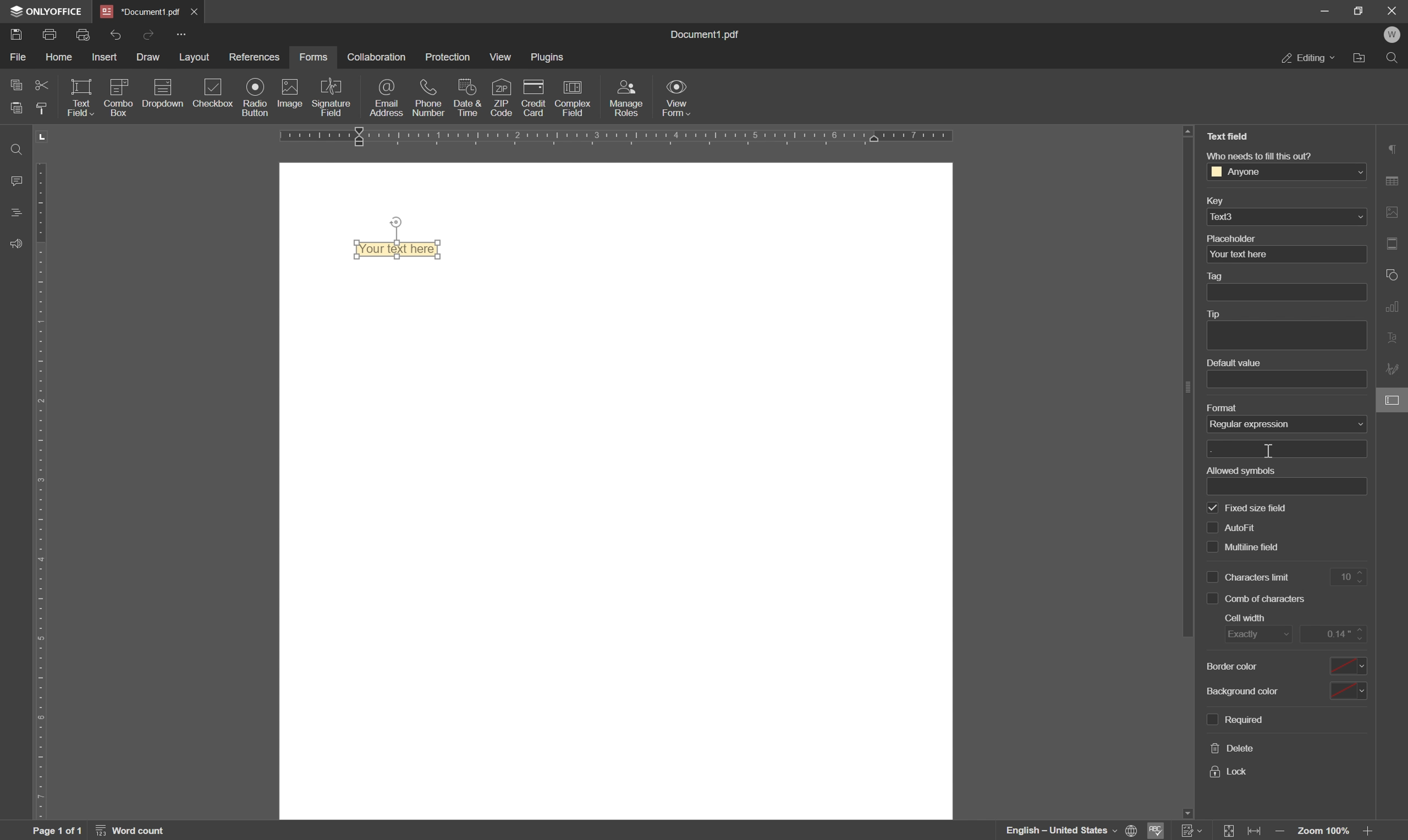  What do you see at coordinates (196, 11) in the screenshot?
I see `*Document1.pdf` at bounding box center [196, 11].